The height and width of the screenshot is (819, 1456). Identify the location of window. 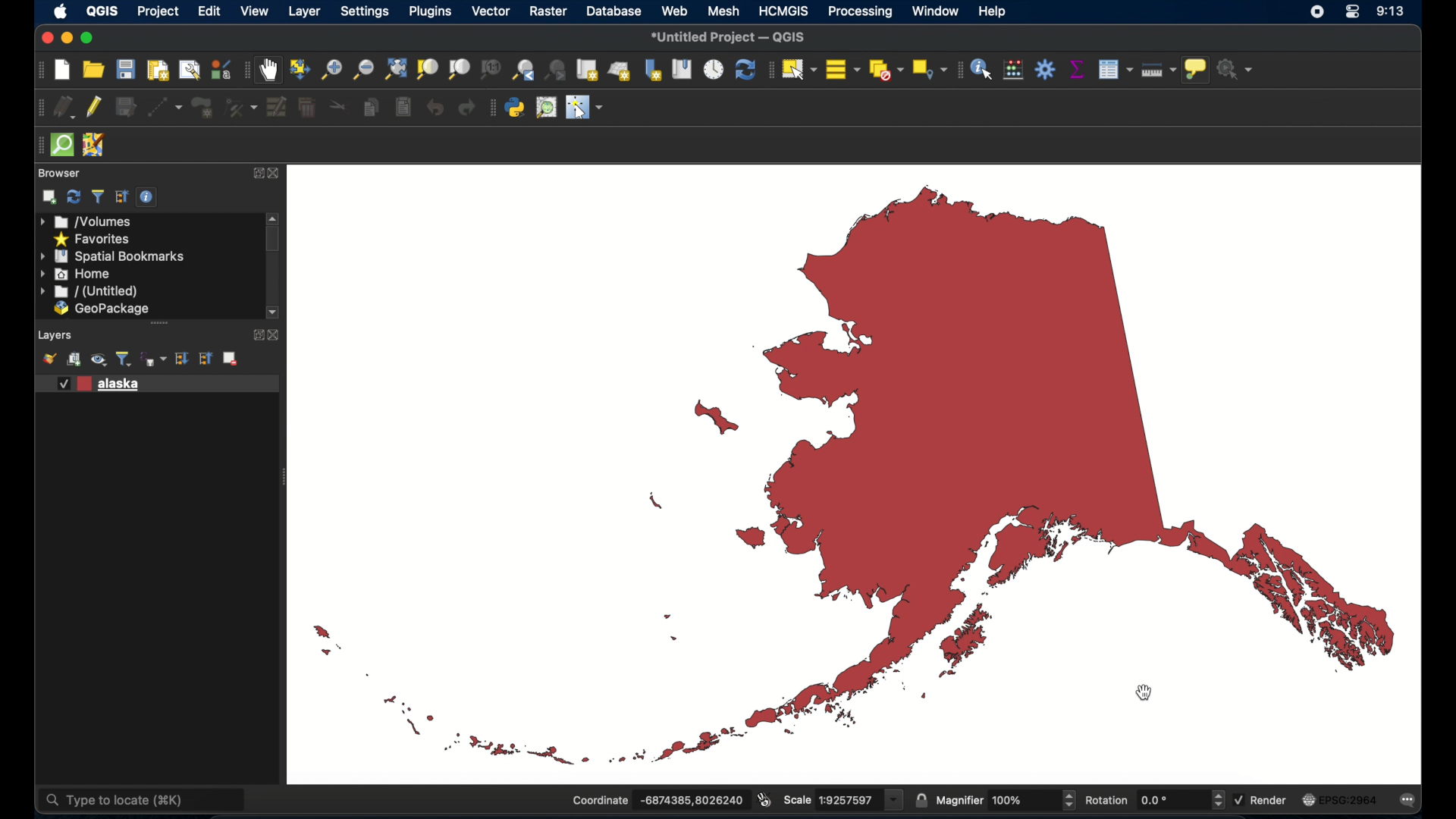
(935, 13).